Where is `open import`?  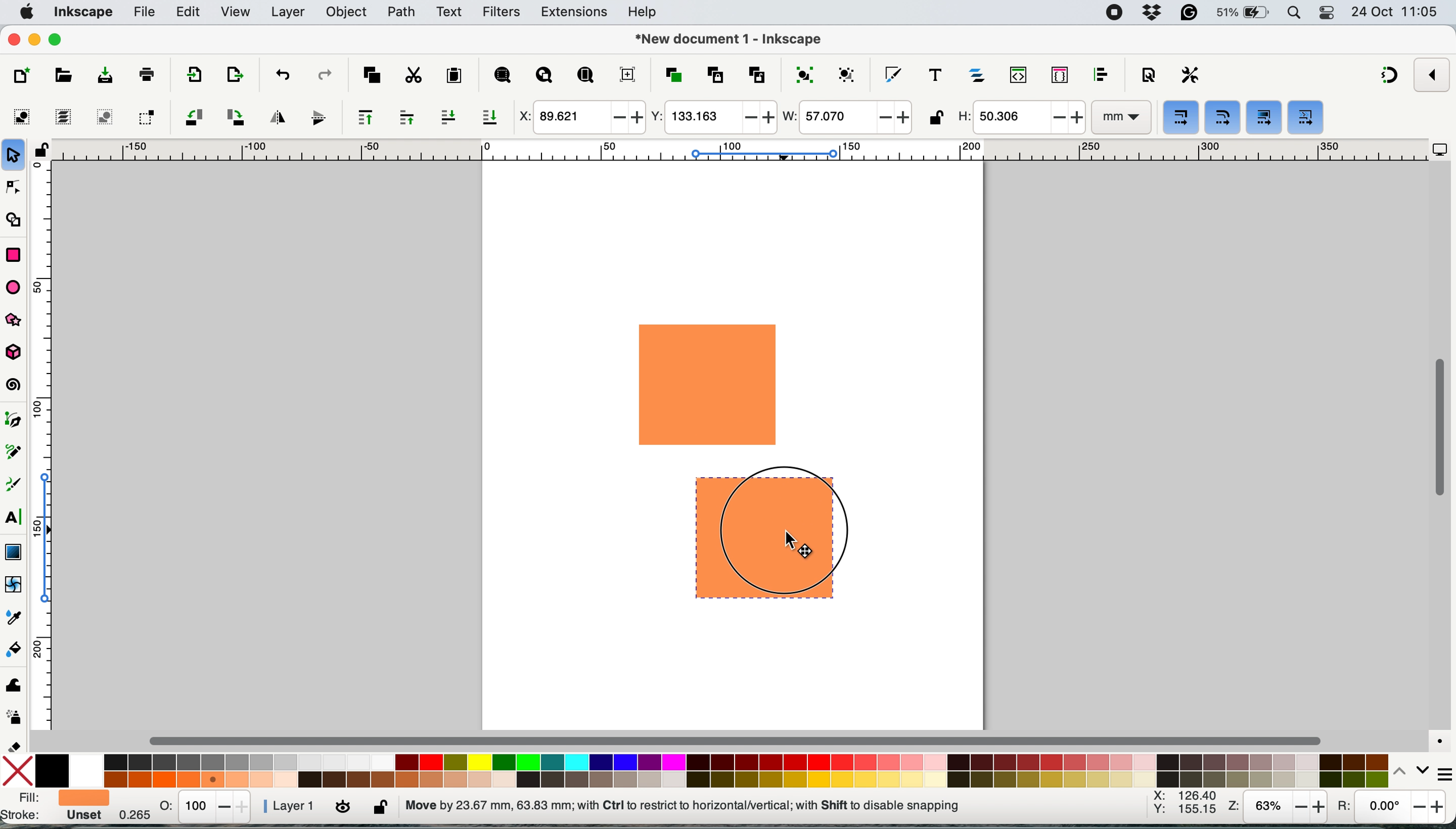 open import is located at coordinates (234, 75).